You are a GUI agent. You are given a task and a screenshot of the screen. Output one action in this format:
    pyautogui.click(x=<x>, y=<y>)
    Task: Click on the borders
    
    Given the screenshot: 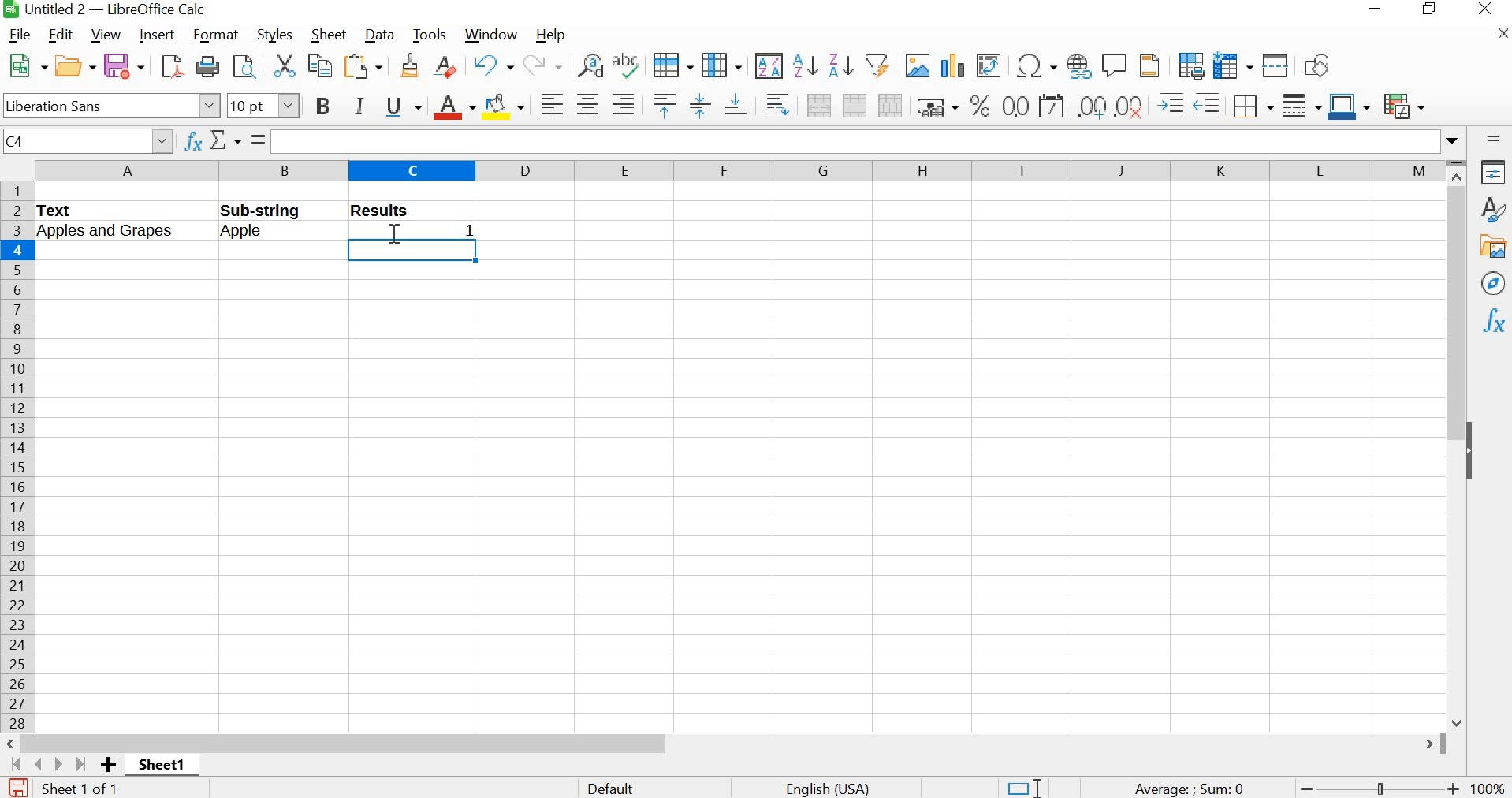 What is the action you would take?
    pyautogui.click(x=1252, y=104)
    